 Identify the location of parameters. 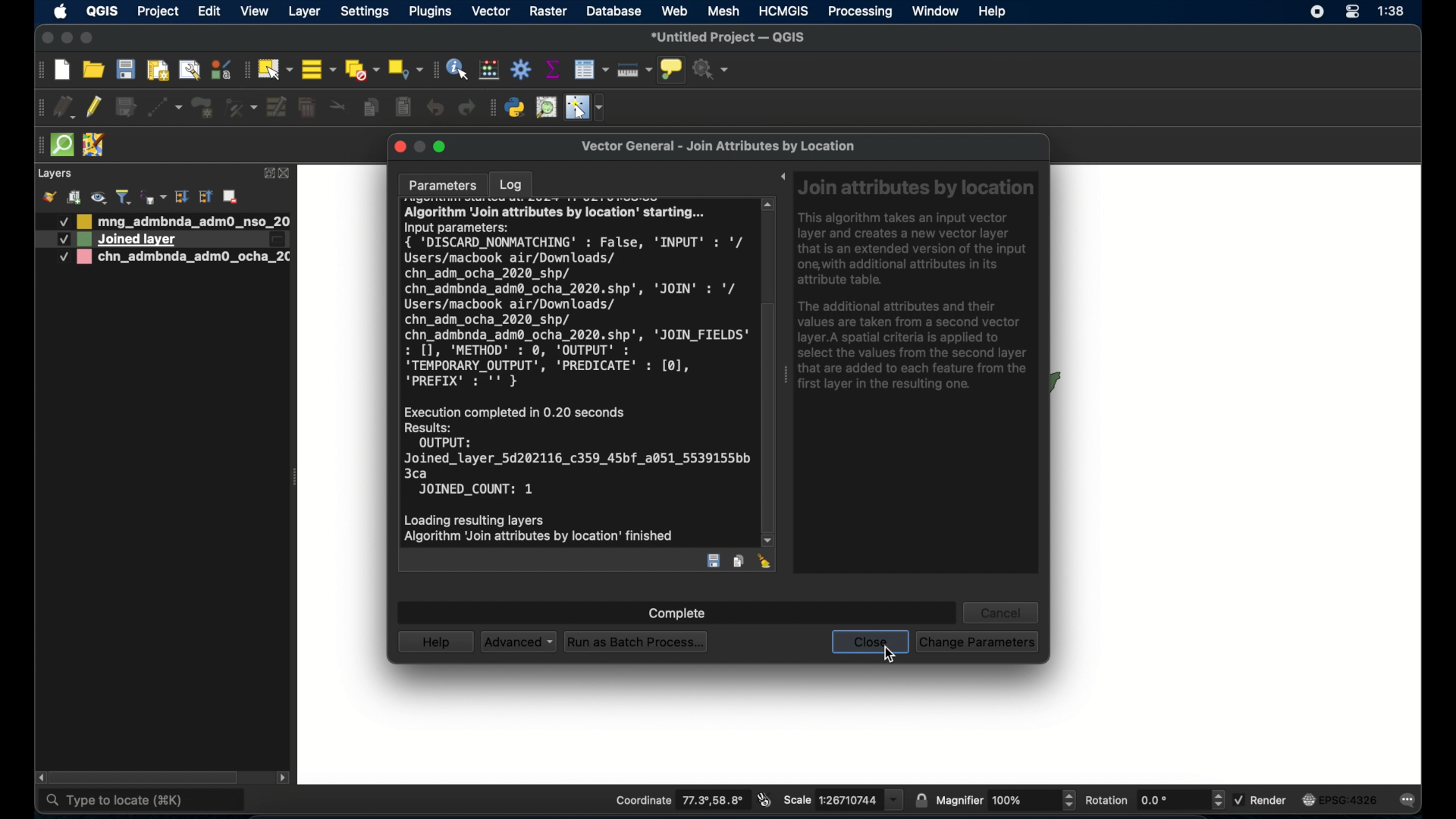
(445, 185).